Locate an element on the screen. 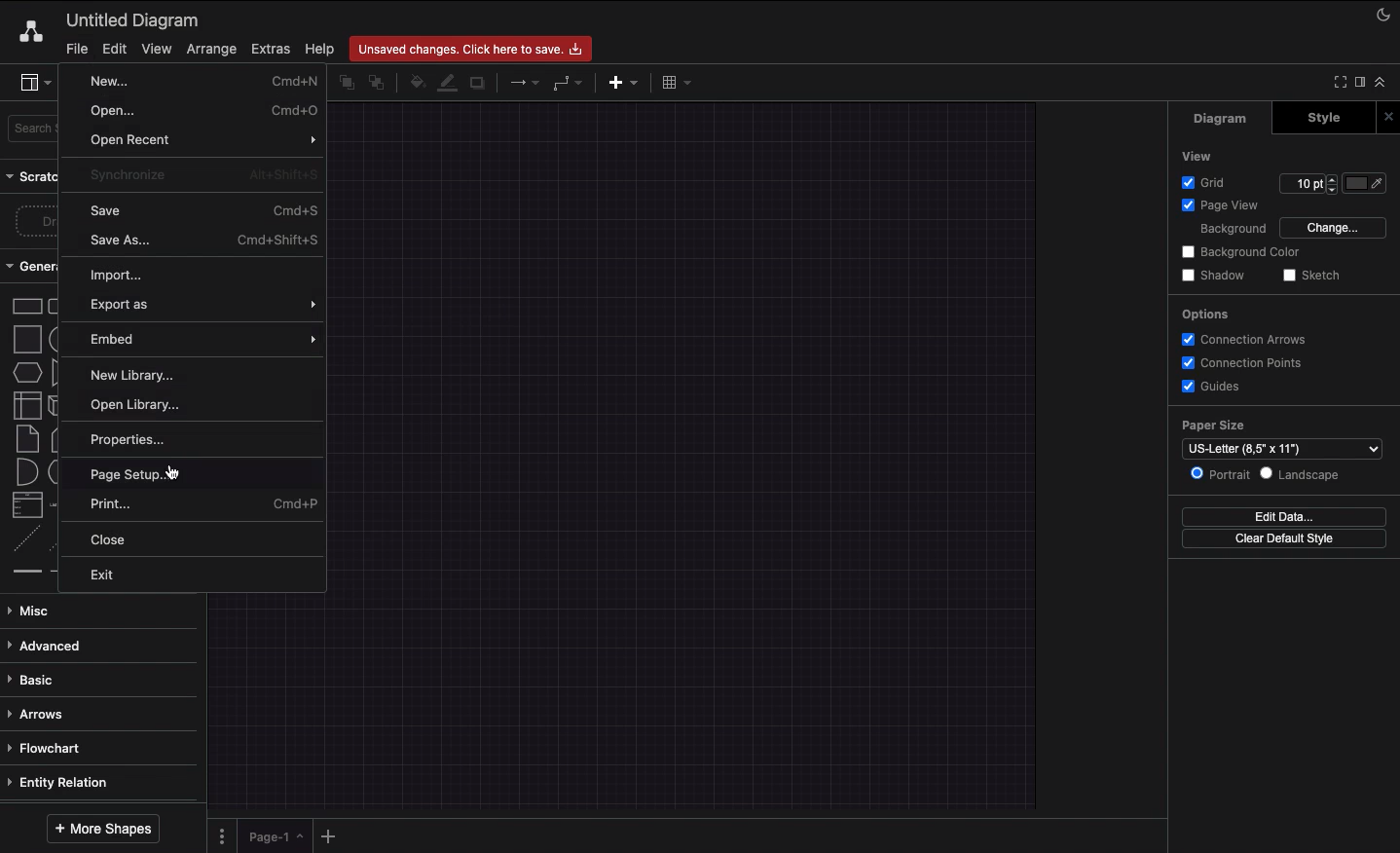  New is located at coordinates (200, 81).